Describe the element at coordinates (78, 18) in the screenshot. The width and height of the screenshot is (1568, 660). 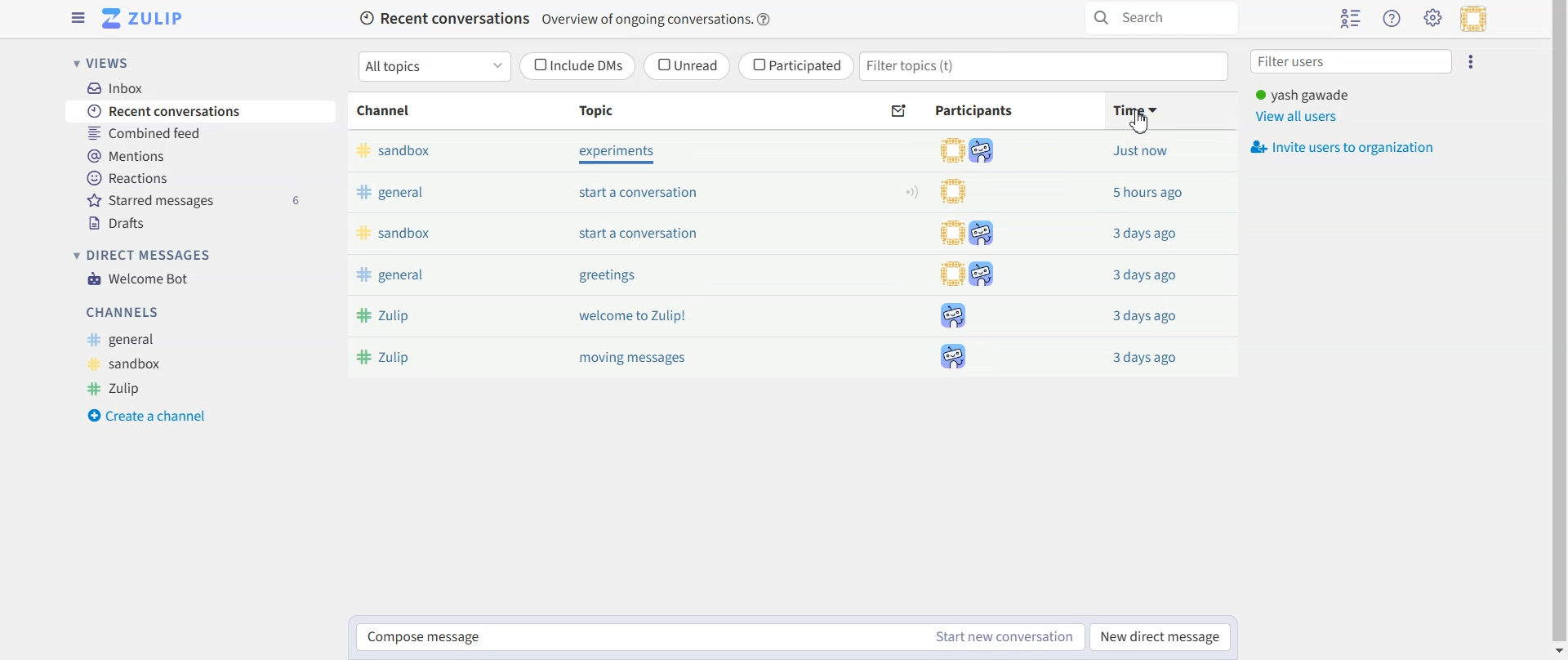
I see `Hide left sidebar` at that location.